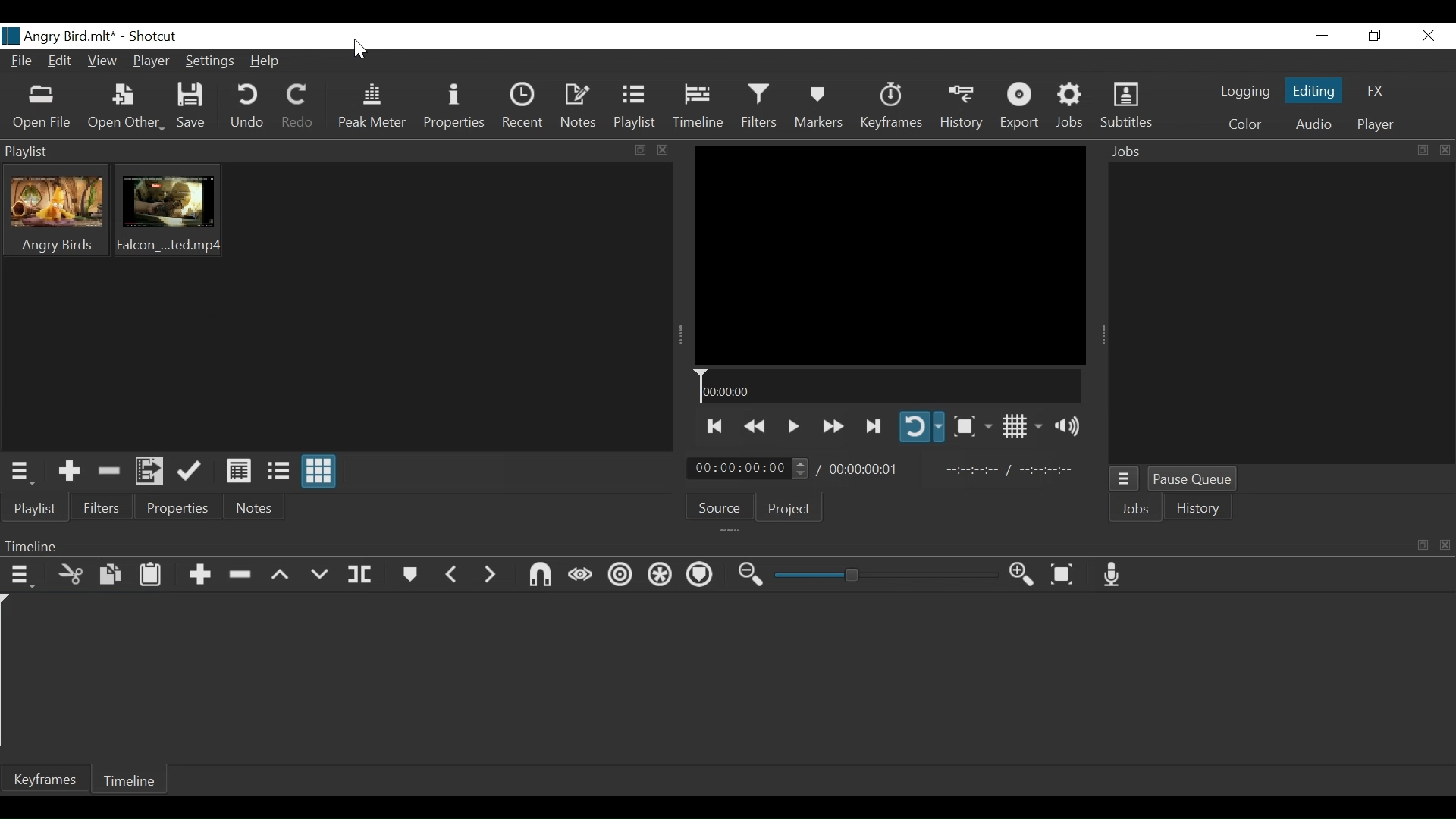  Describe the element at coordinates (362, 49) in the screenshot. I see `Cursor` at that location.